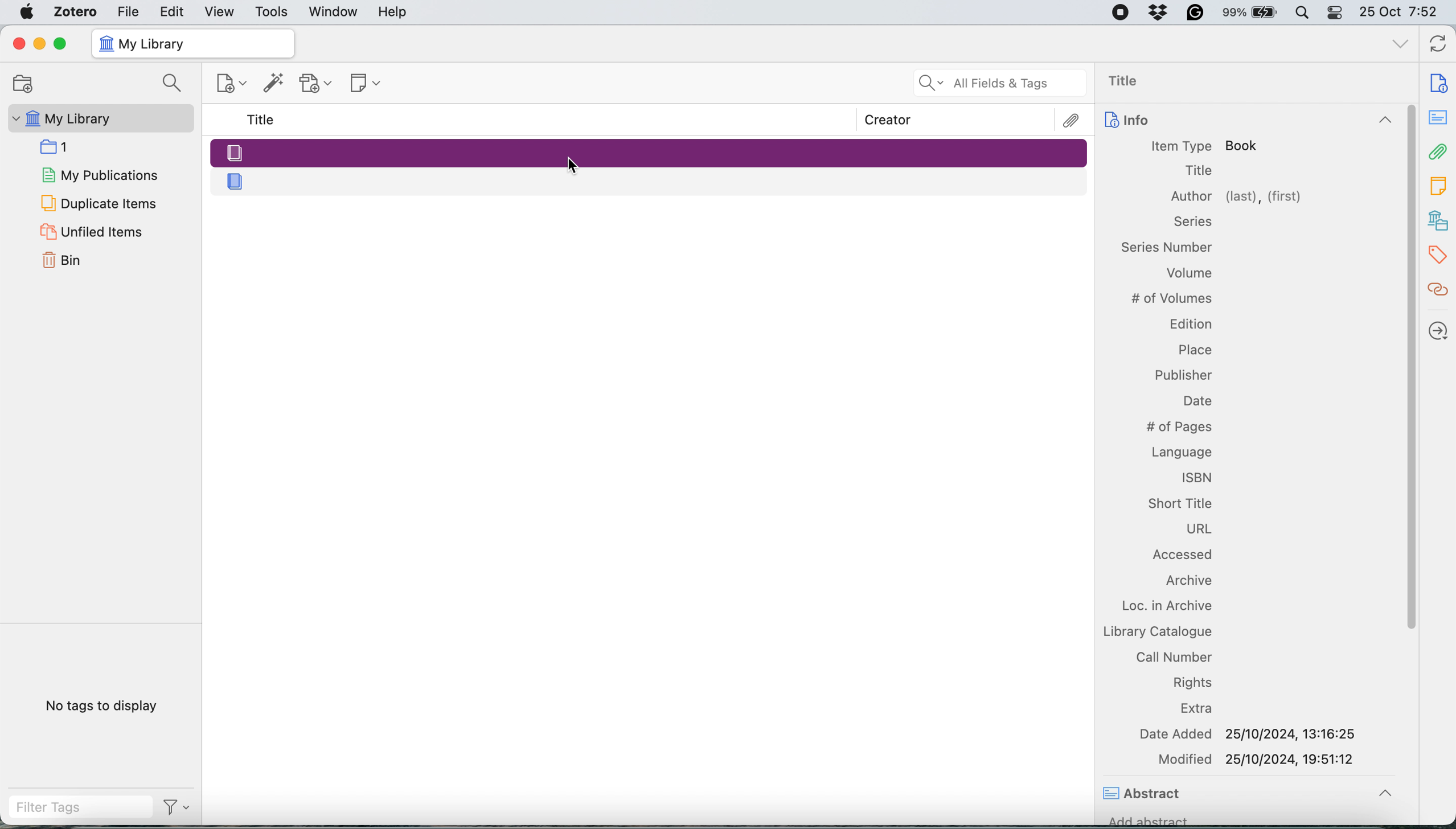 The height and width of the screenshot is (829, 1456). What do you see at coordinates (1199, 171) in the screenshot?
I see `Title` at bounding box center [1199, 171].